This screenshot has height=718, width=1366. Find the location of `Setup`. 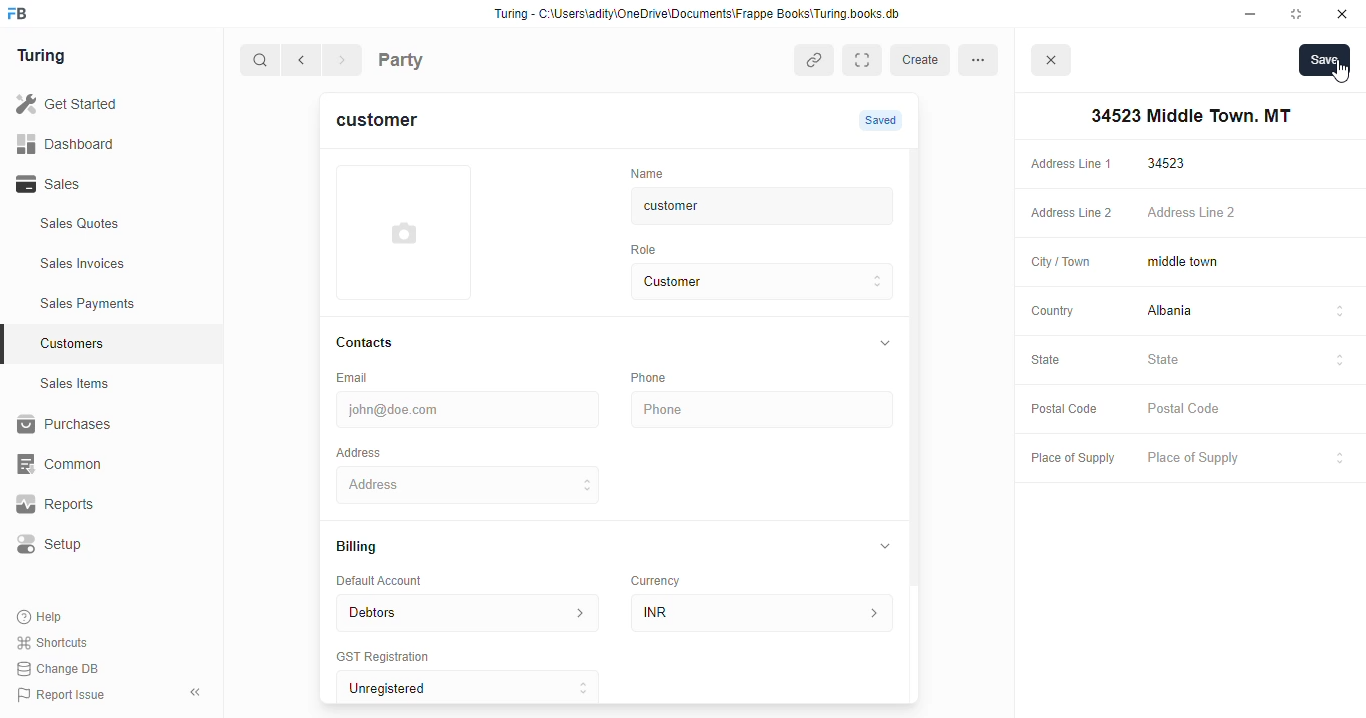

Setup is located at coordinates (101, 544).